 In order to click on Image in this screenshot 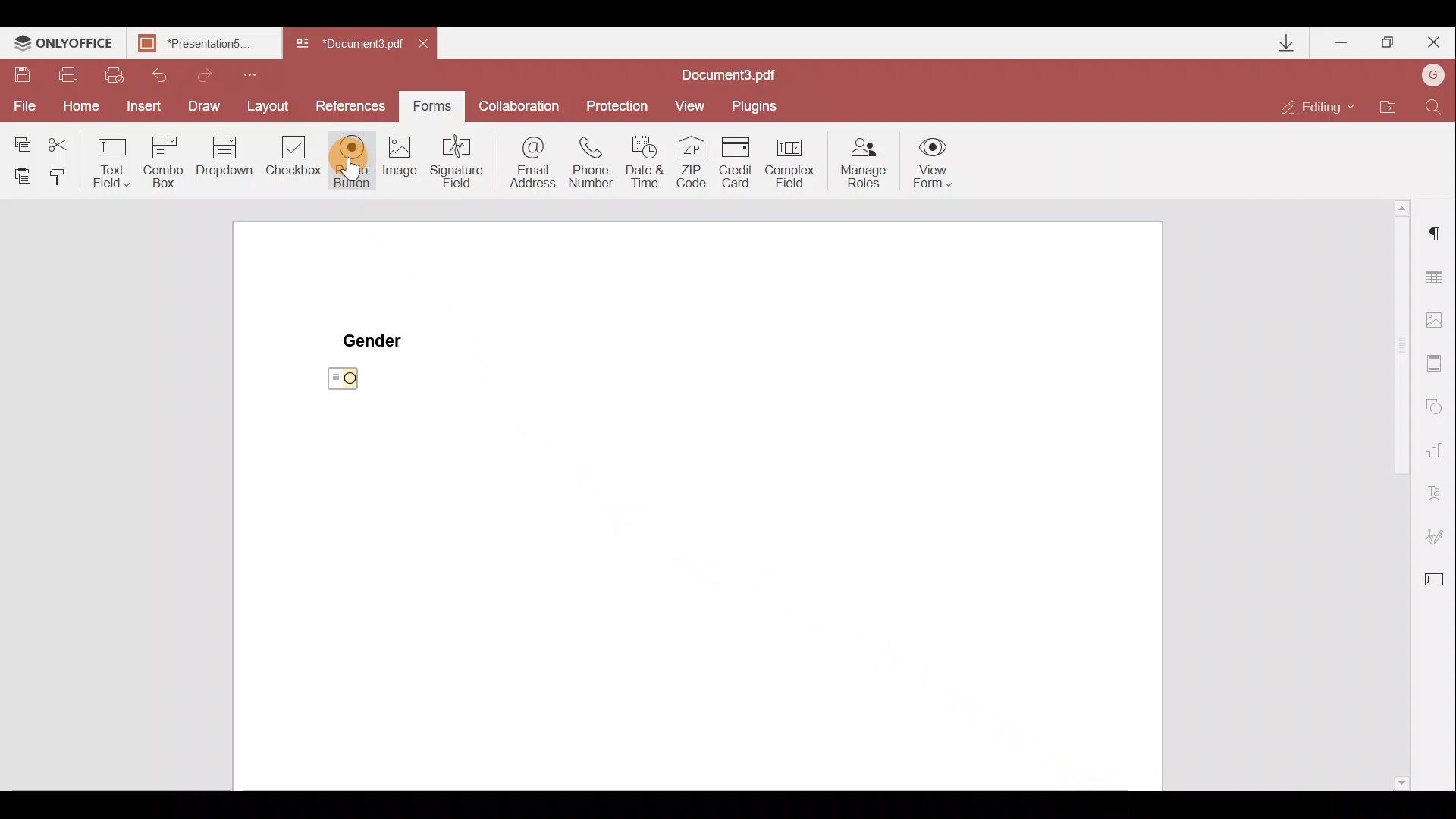, I will do `click(401, 171)`.